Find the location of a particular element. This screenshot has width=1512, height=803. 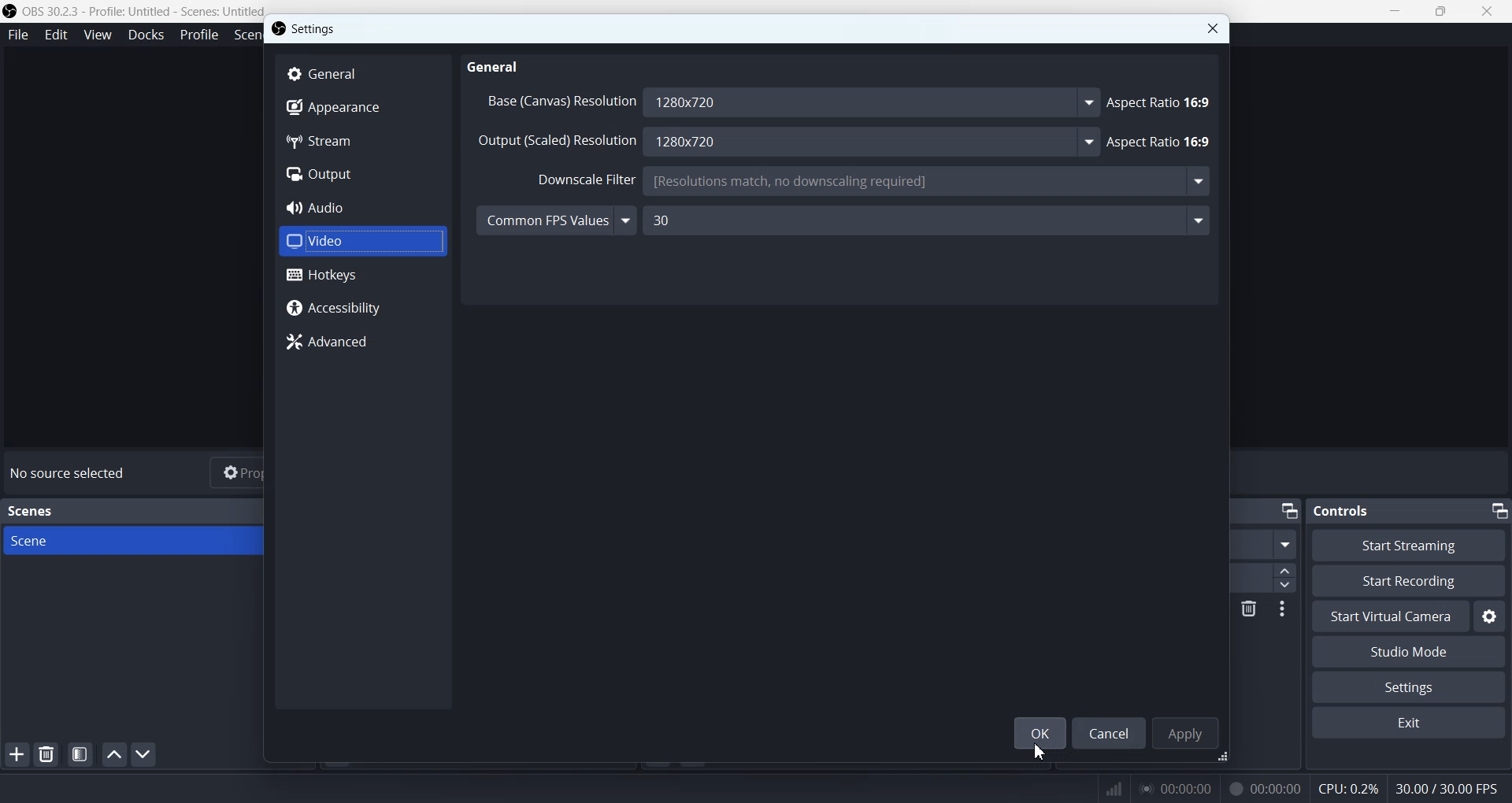

Cancel is located at coordinates (1110, 732).